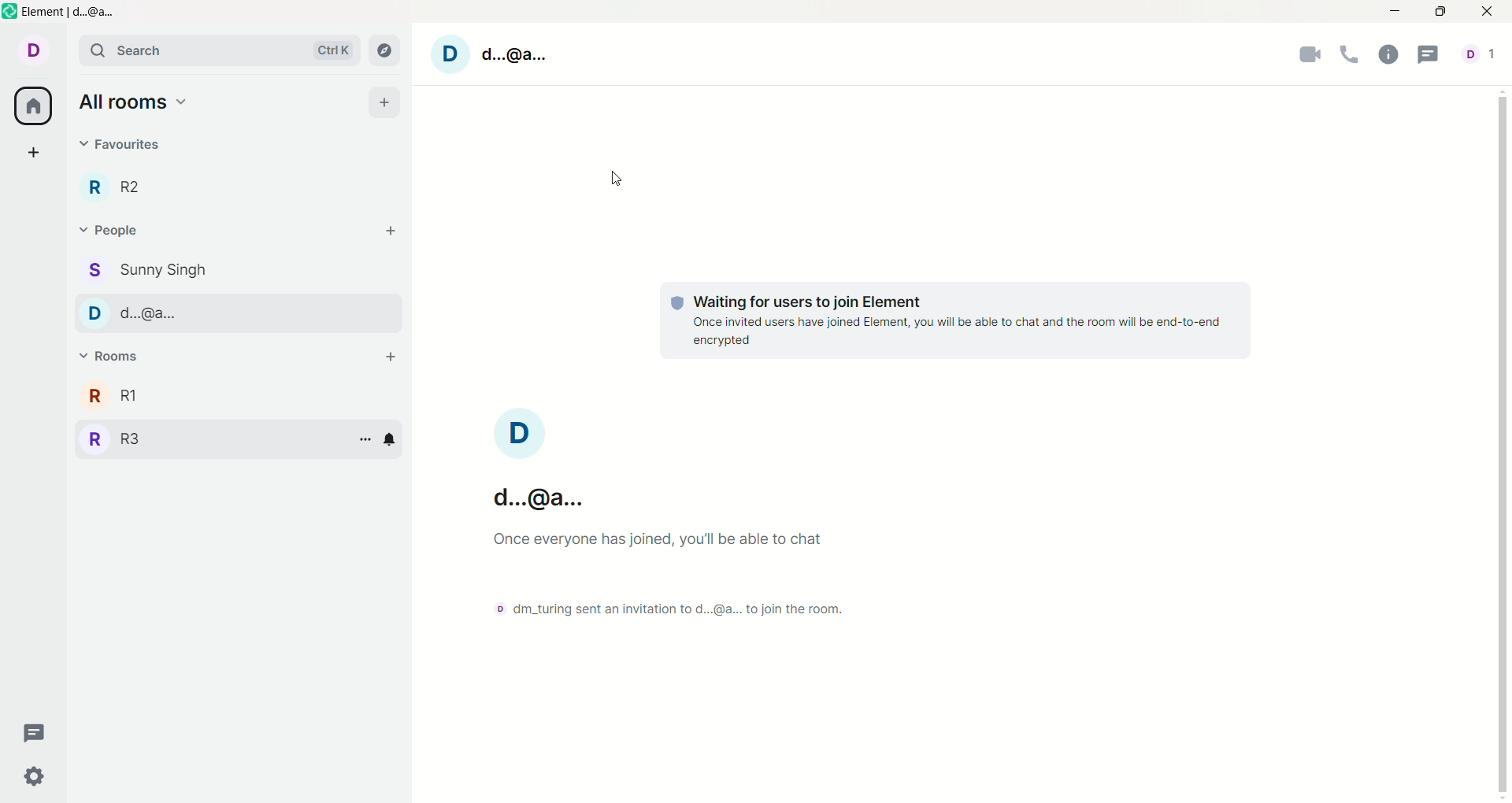 Image resolution: width=1512 pixels, height=803 pixels. I want to click on d...@a... chat, so click(224, 314).